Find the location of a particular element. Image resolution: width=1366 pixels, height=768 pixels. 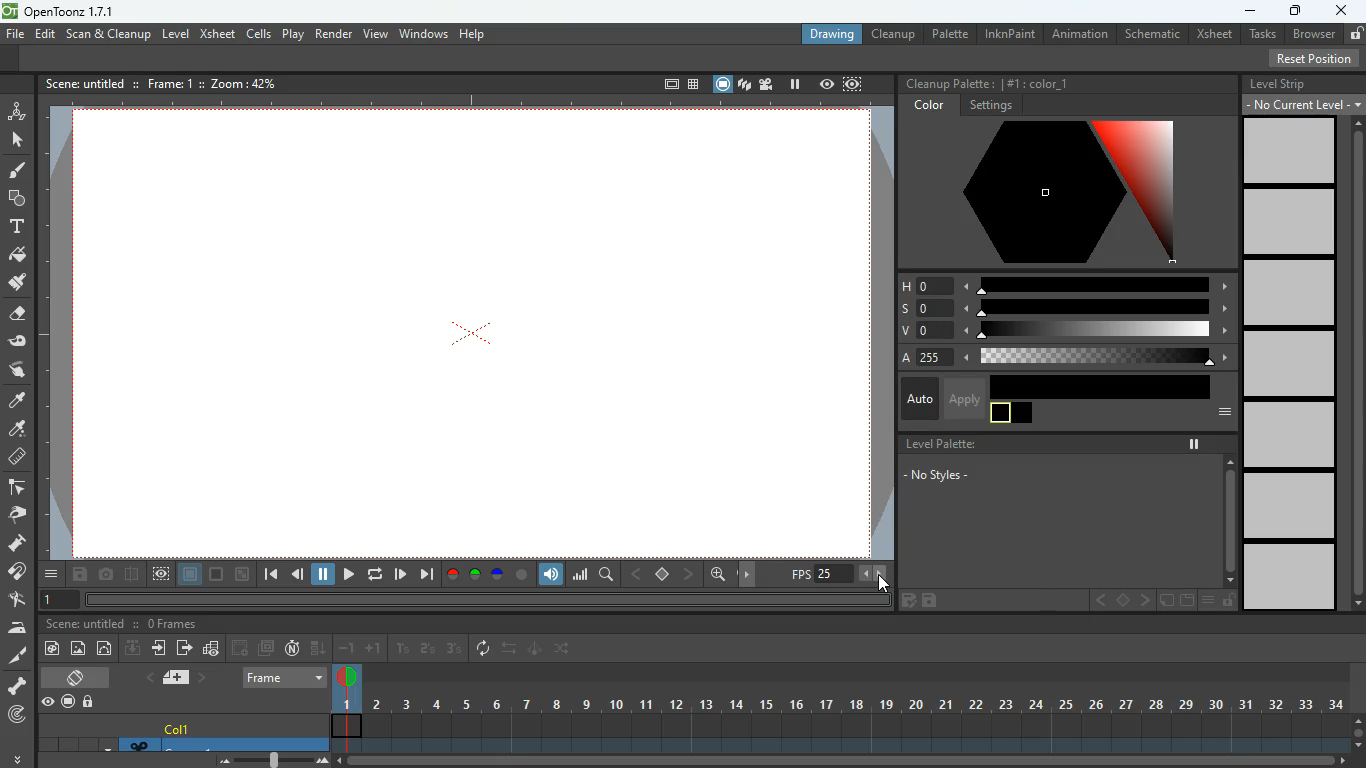

view is located at coordinates (375, 33).